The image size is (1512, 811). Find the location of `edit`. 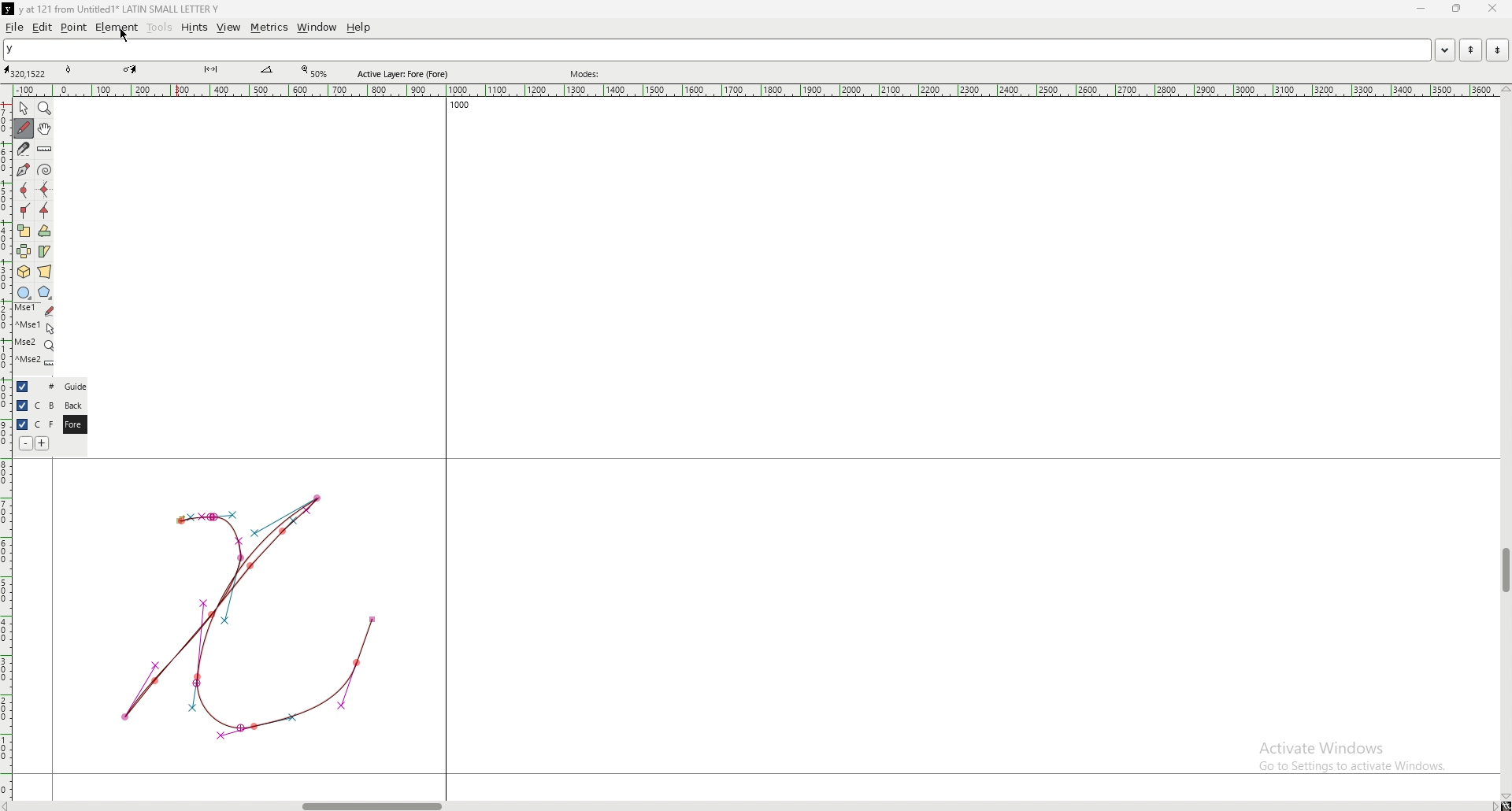

edit is located at coordinates (43, 28).